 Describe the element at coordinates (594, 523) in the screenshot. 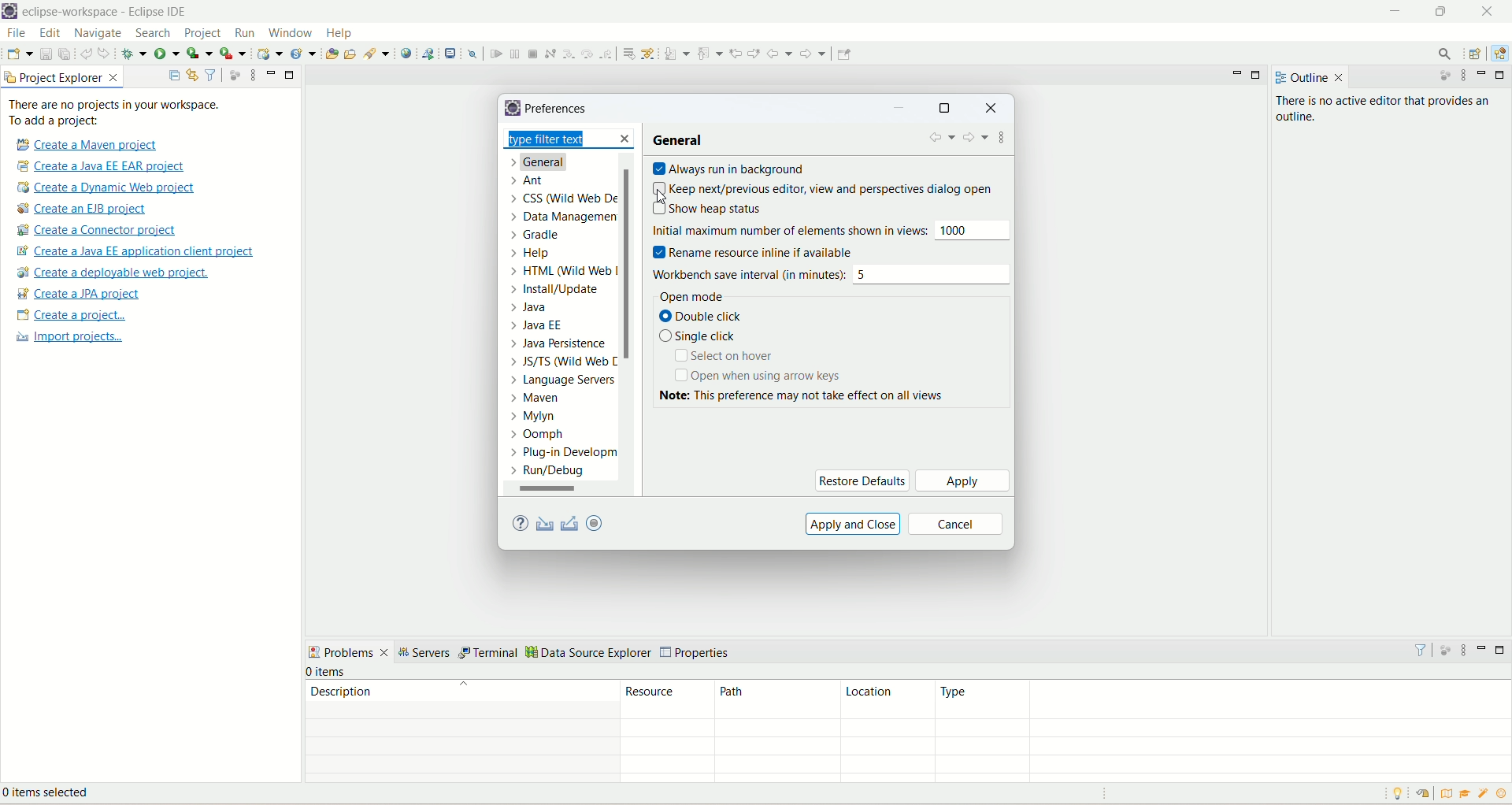

I see `oomph preference recorder` at that location.